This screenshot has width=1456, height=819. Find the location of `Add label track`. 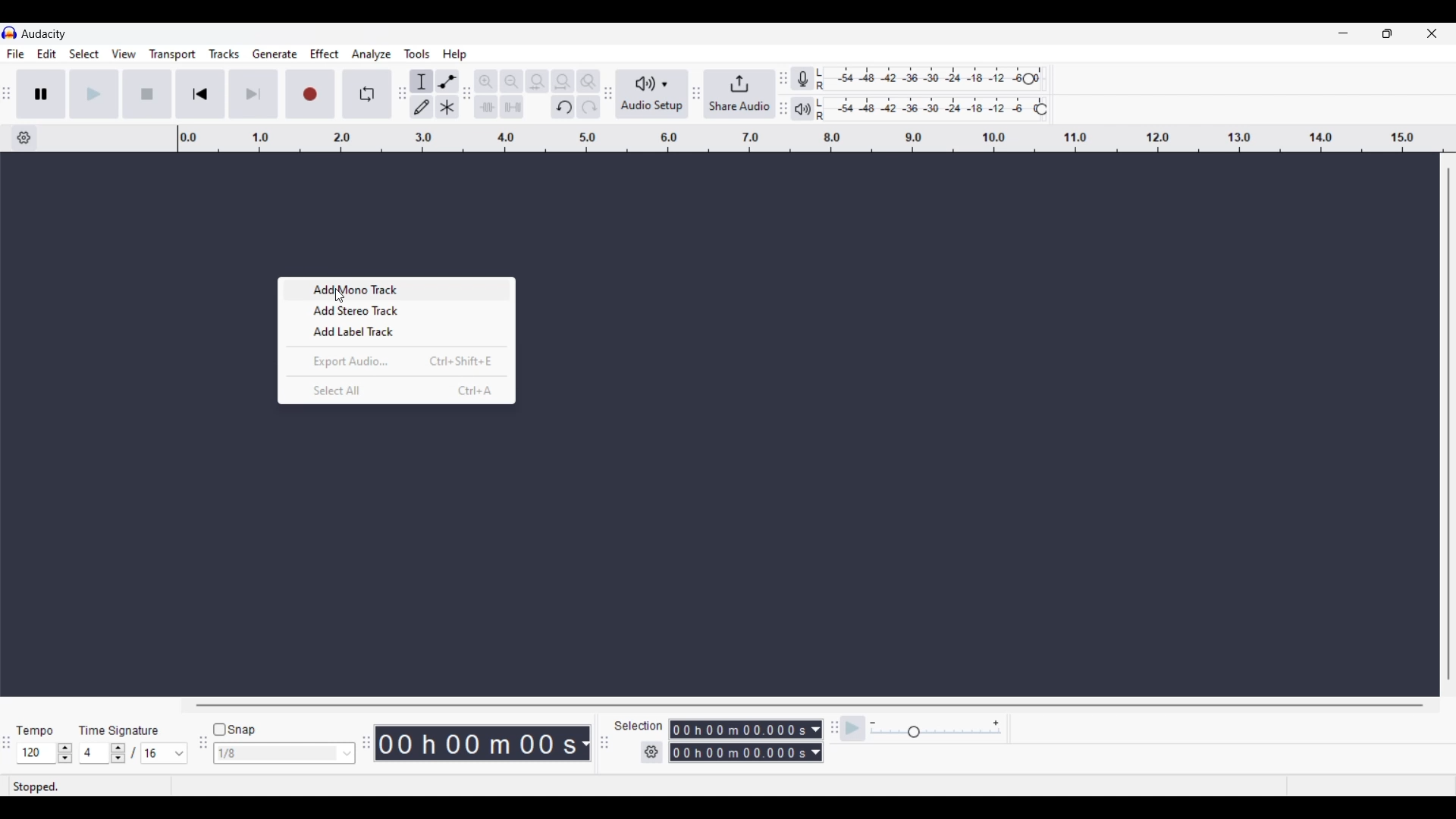

Add label track is located at coordinates (397, 331).